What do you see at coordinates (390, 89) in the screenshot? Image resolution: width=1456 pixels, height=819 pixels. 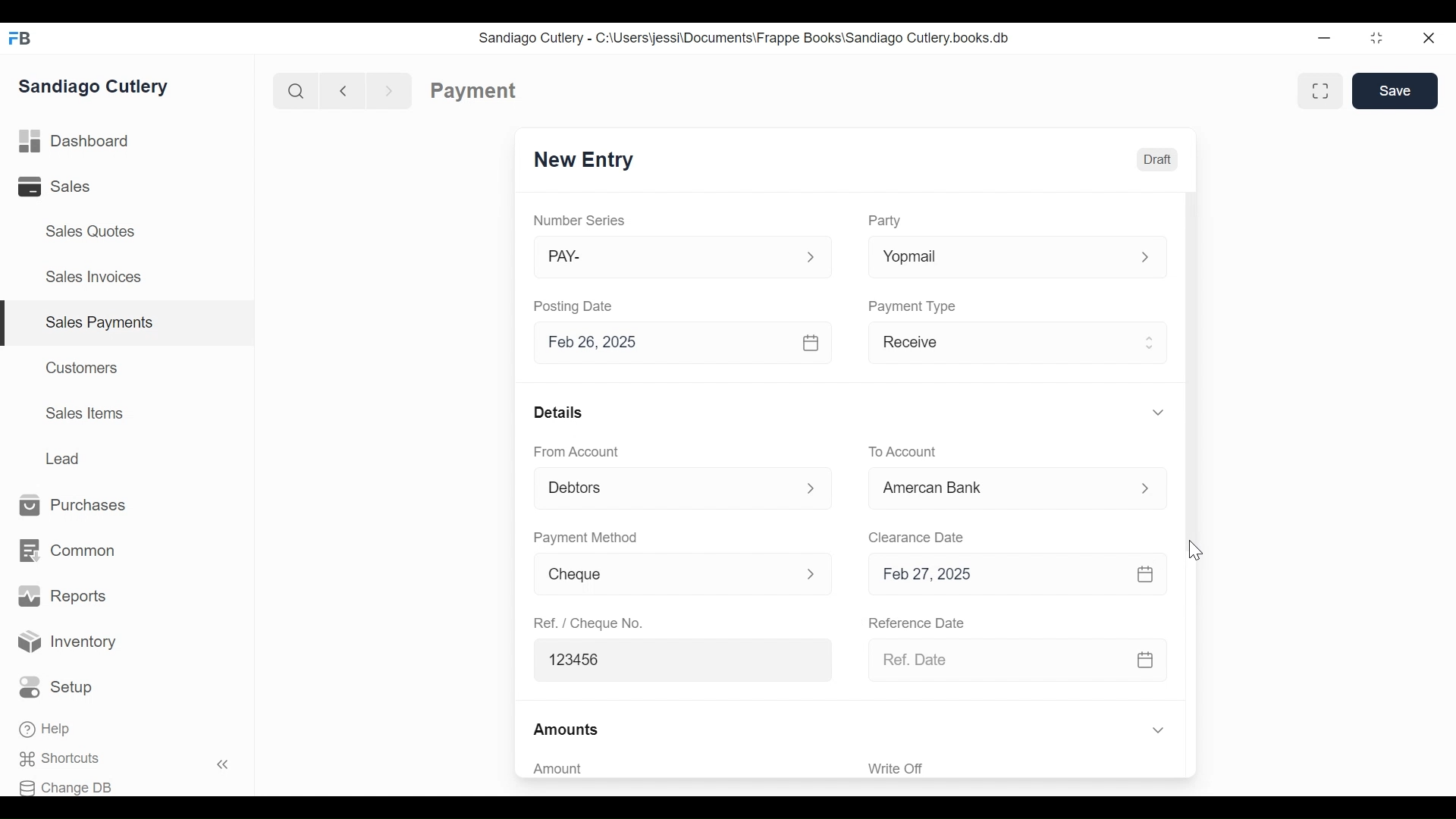 I see `Navigate forward` at bounding box center [390, 89].